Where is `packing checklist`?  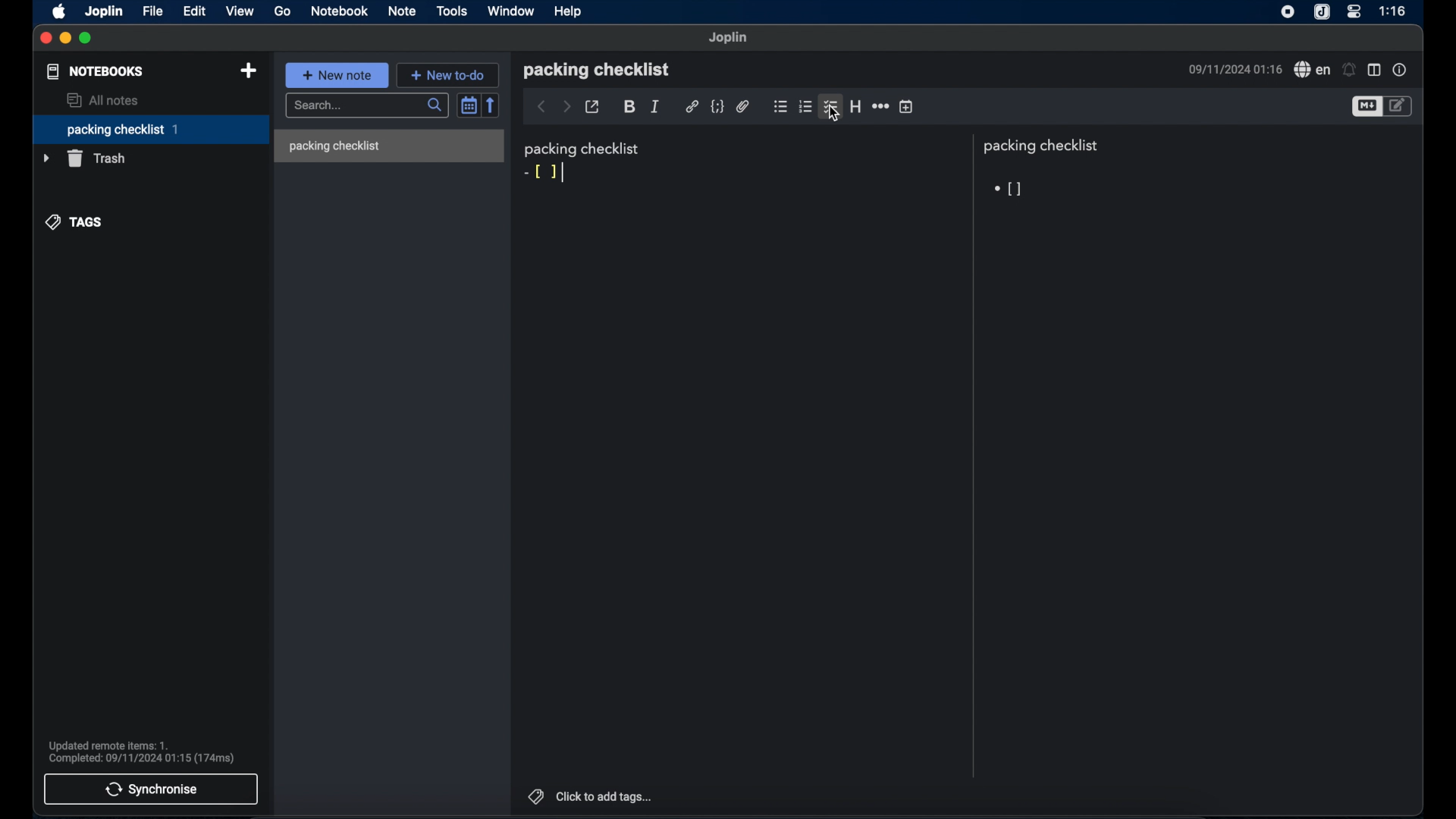 packing checklist is located at coordinates (596, 70).